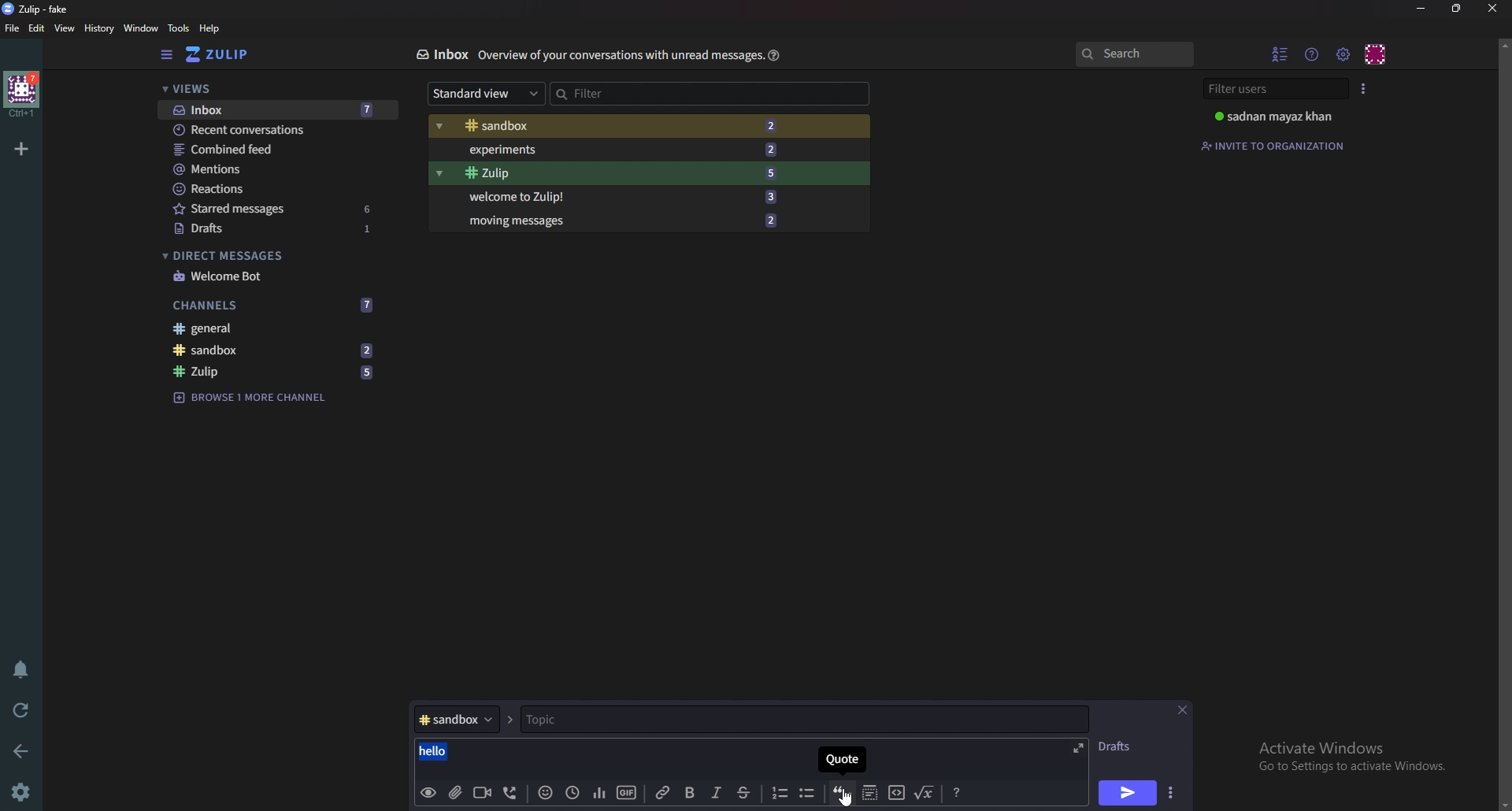 The height and width of the screenshot is (811, 1512). What do you see at coordinates (1135, 55) in the screenshot?
I see `search` at bounding box center [1135, 55].